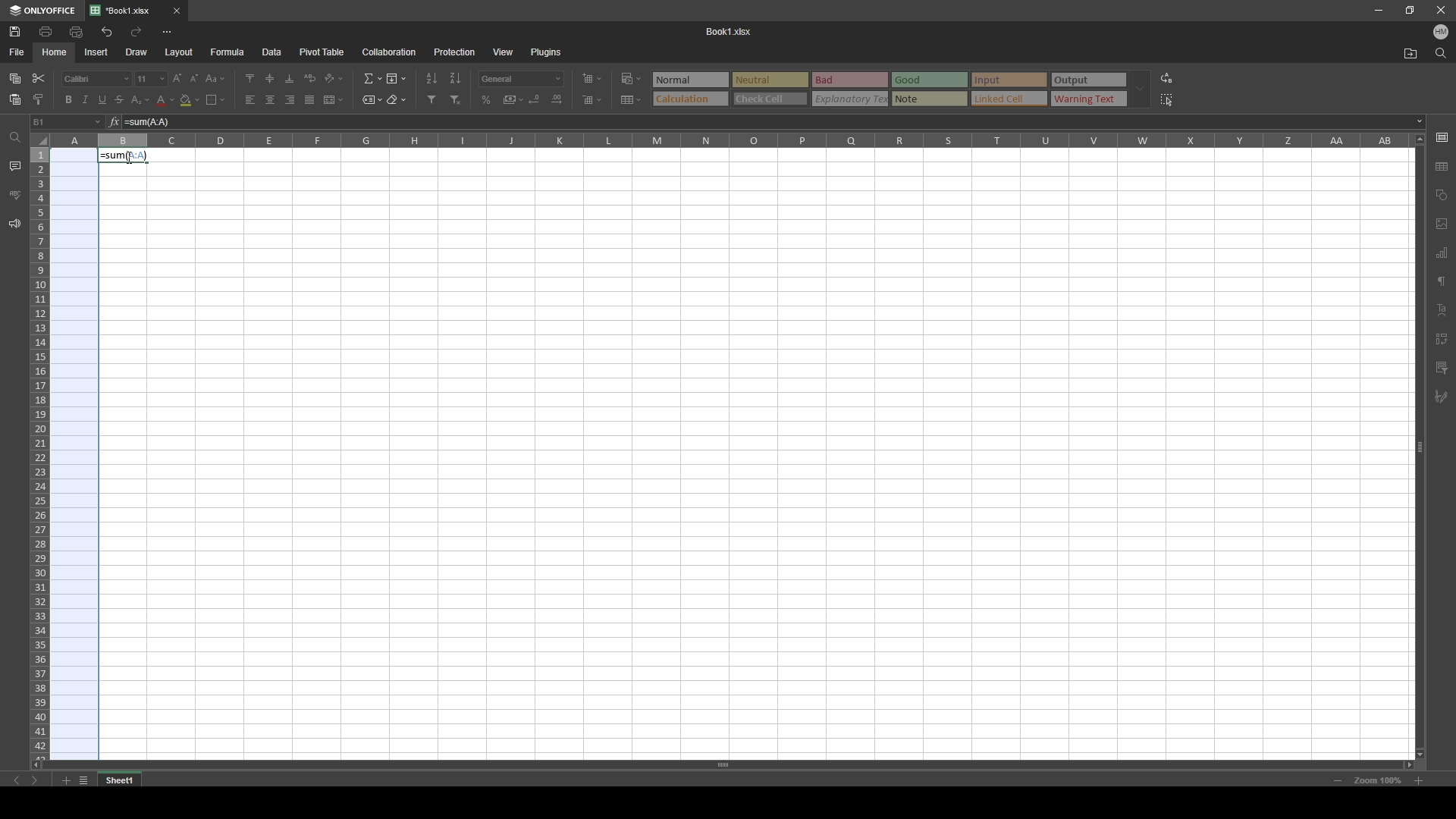 The height and width of the screenshot is (819, 1456). I want to click on resize, so click(1408, 11).